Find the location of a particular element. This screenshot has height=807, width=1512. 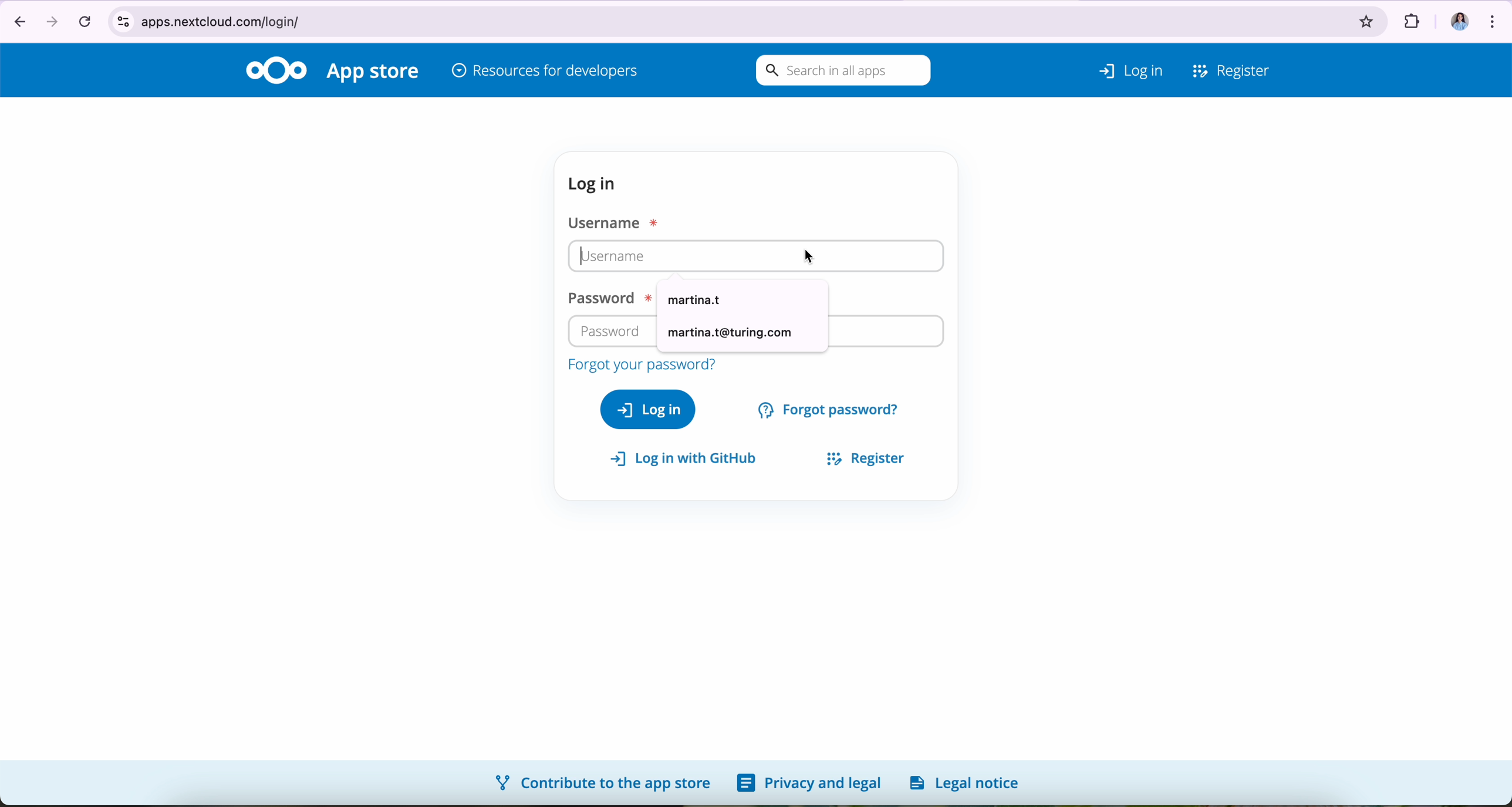

log in is located at coordinates (596, 184).